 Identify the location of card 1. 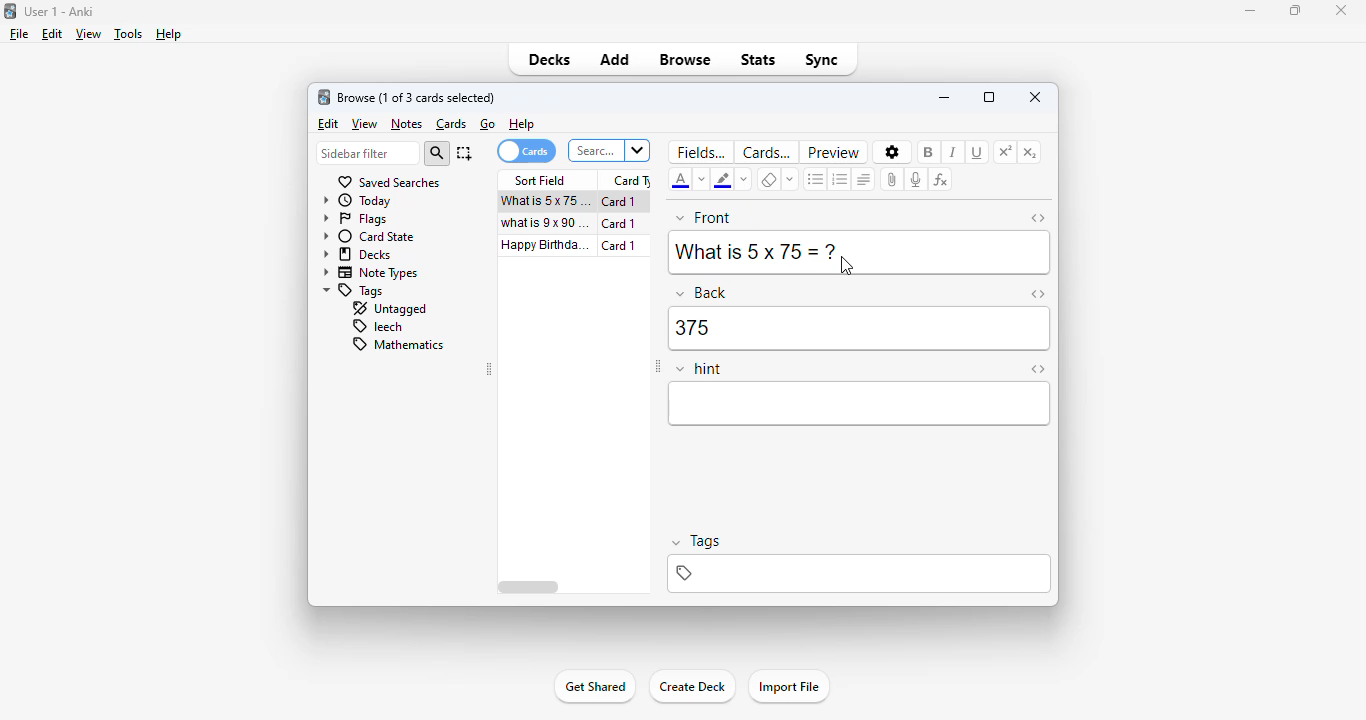
(619, 202).